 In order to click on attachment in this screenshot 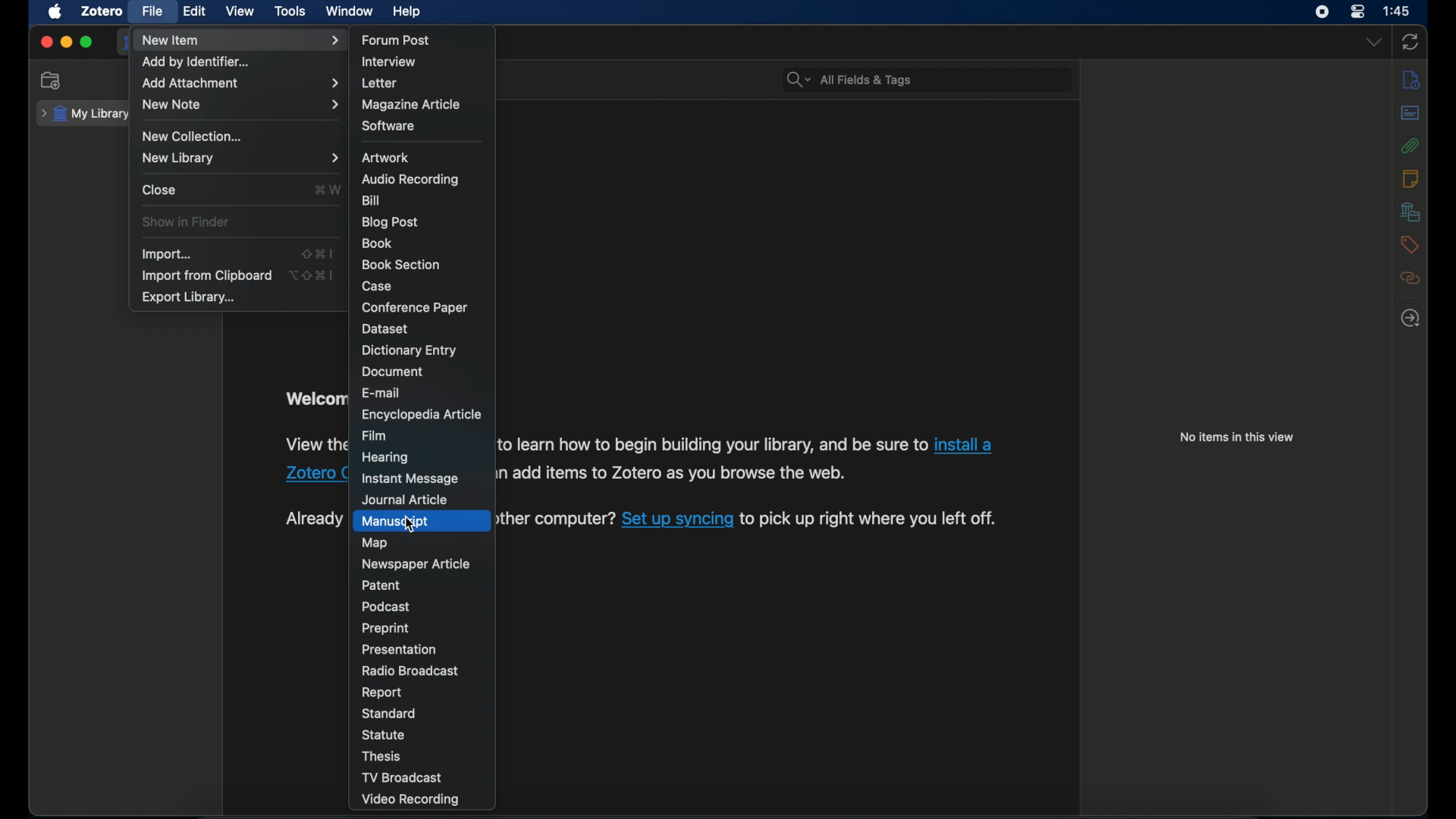, I will do `click(1410, 146)`.